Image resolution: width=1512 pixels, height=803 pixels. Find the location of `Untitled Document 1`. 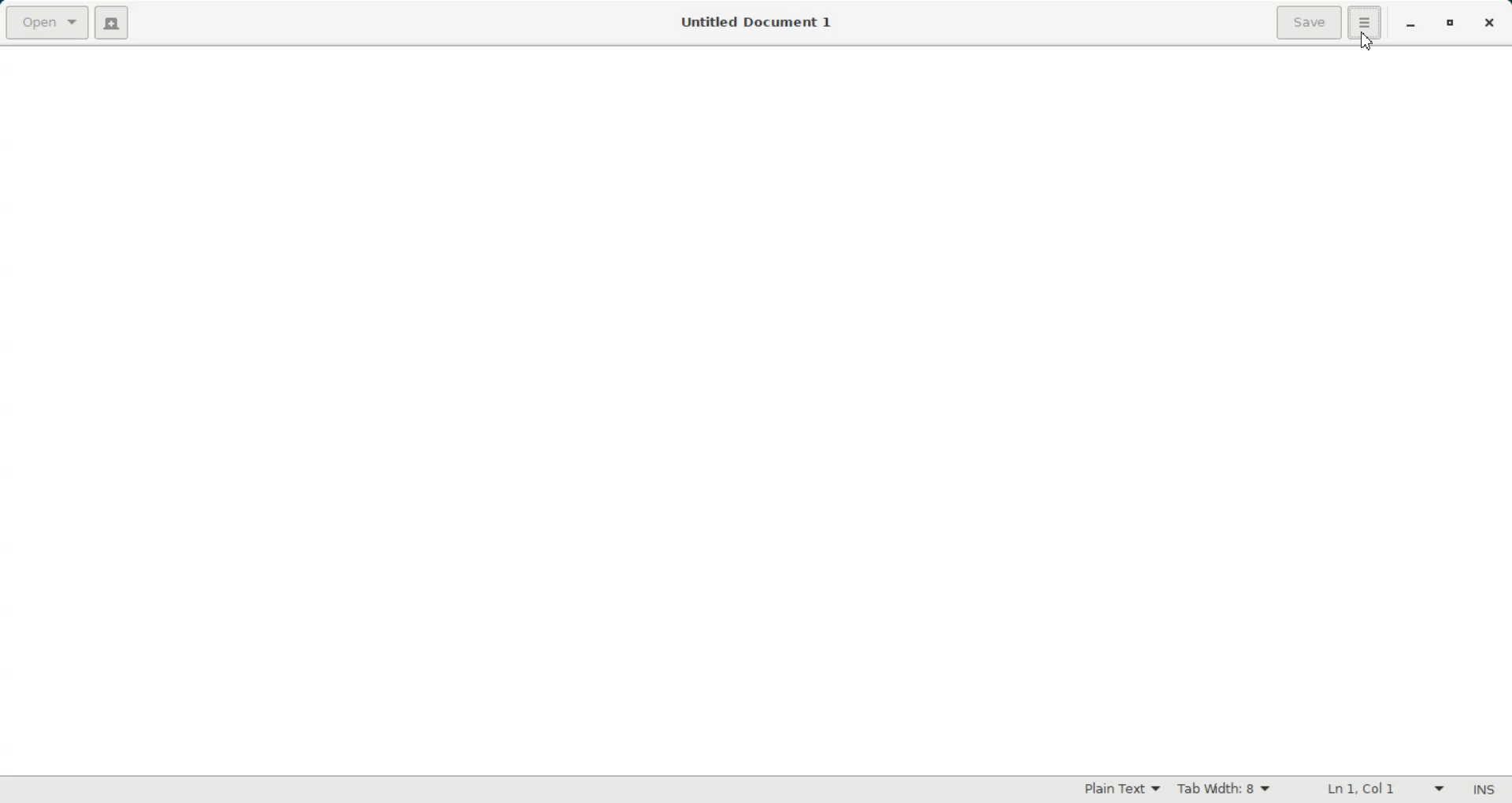

Untitled Document 1 is located at coordinates (753, 22).